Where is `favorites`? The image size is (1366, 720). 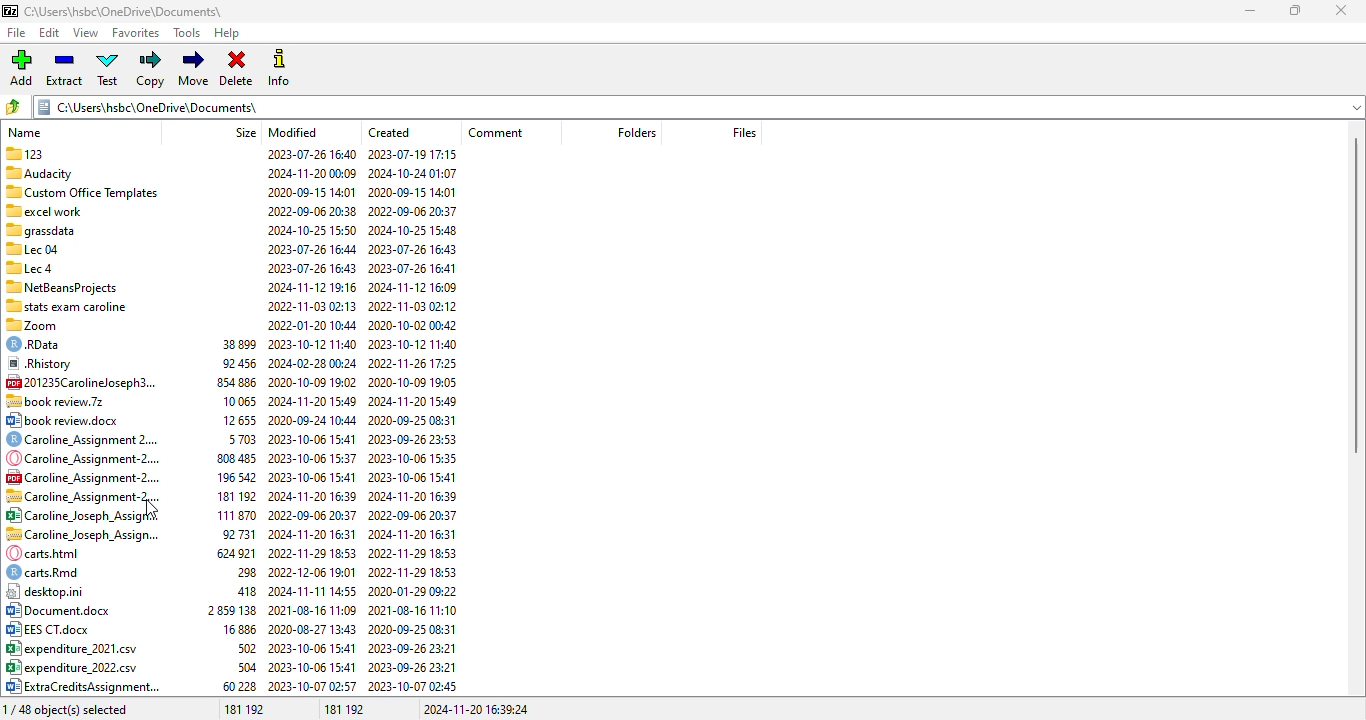
favorites is located at coordinates (136, 34).